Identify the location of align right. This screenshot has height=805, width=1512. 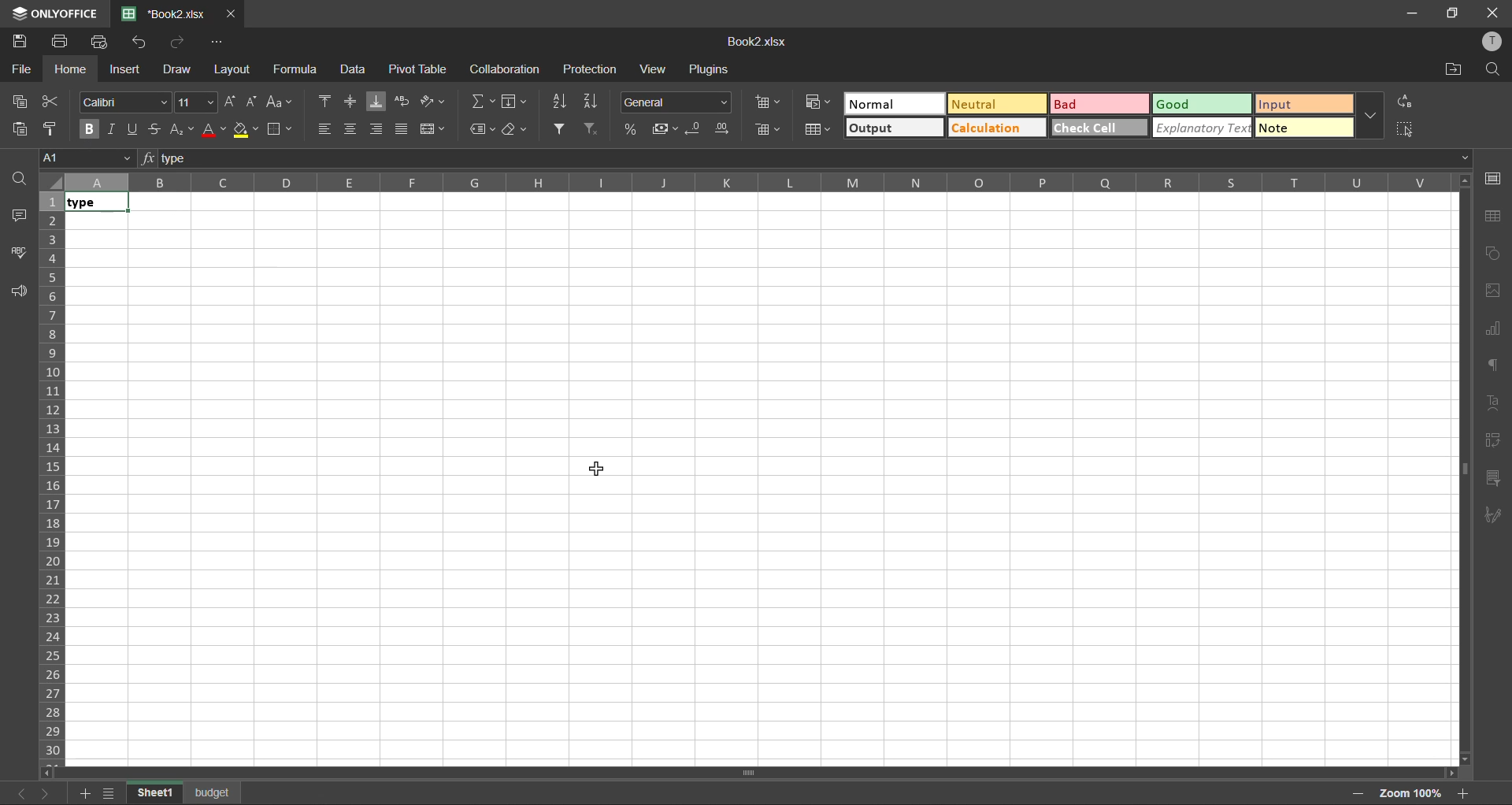
(373, 129).